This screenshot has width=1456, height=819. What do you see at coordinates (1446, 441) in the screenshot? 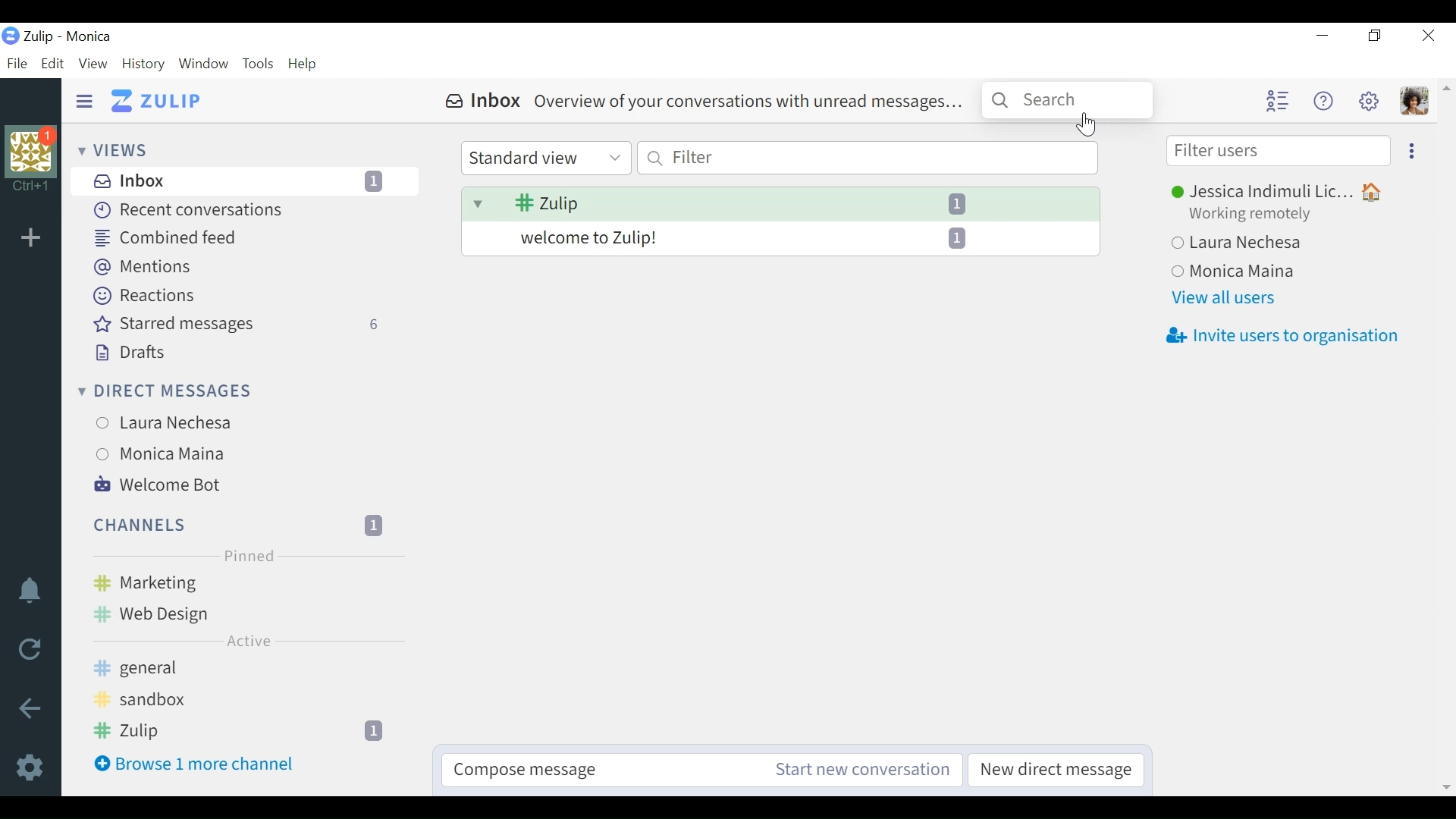
I see `vertical scrollbar` at bounding box center [1446, 441].